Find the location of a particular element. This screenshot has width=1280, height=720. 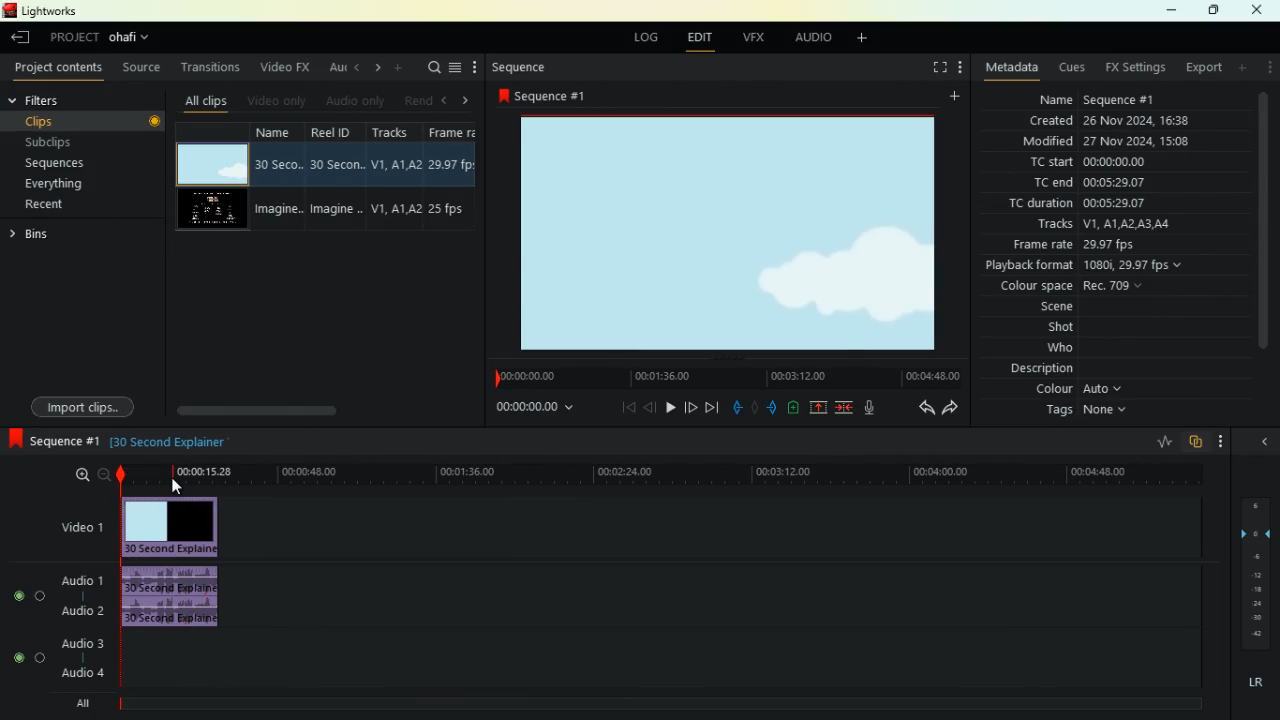

colour space is located at coordinates (1030, 286).